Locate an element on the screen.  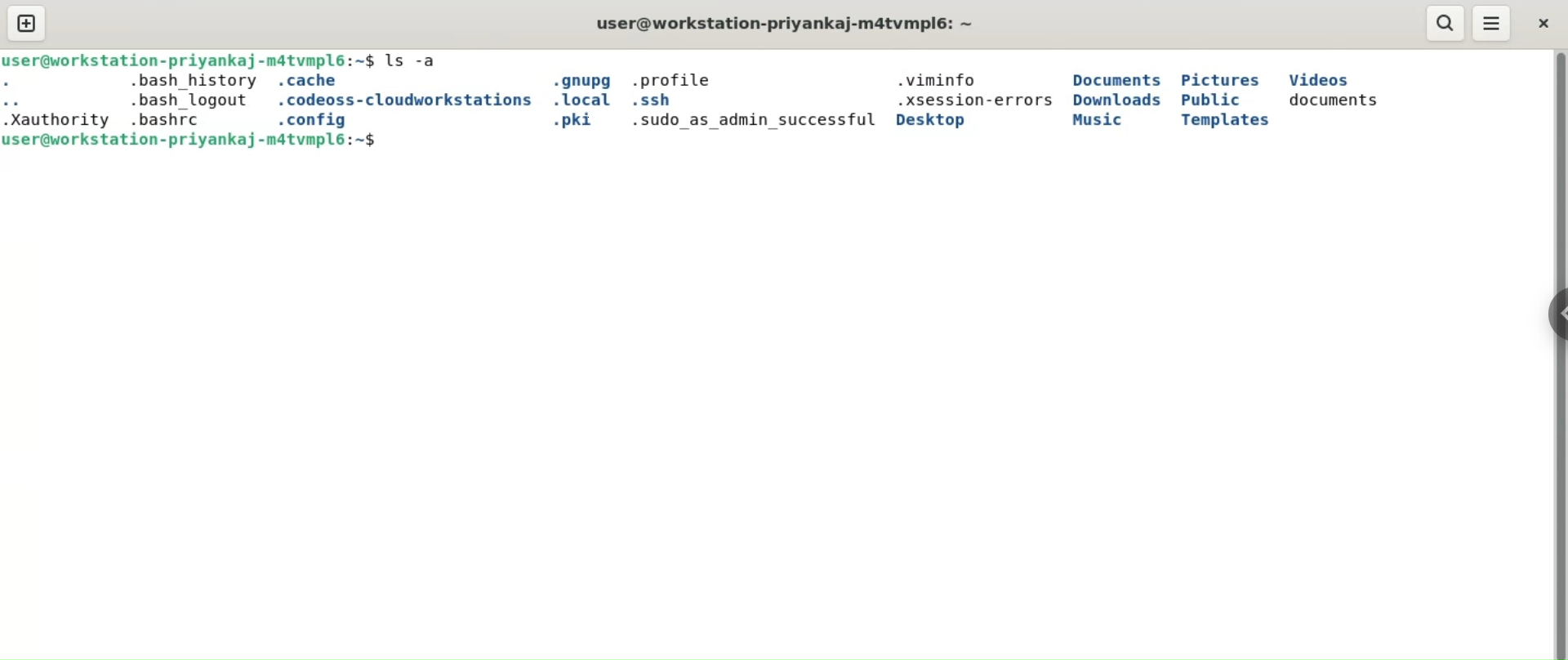
.xsession-errors is located at coordinates (971, 101).